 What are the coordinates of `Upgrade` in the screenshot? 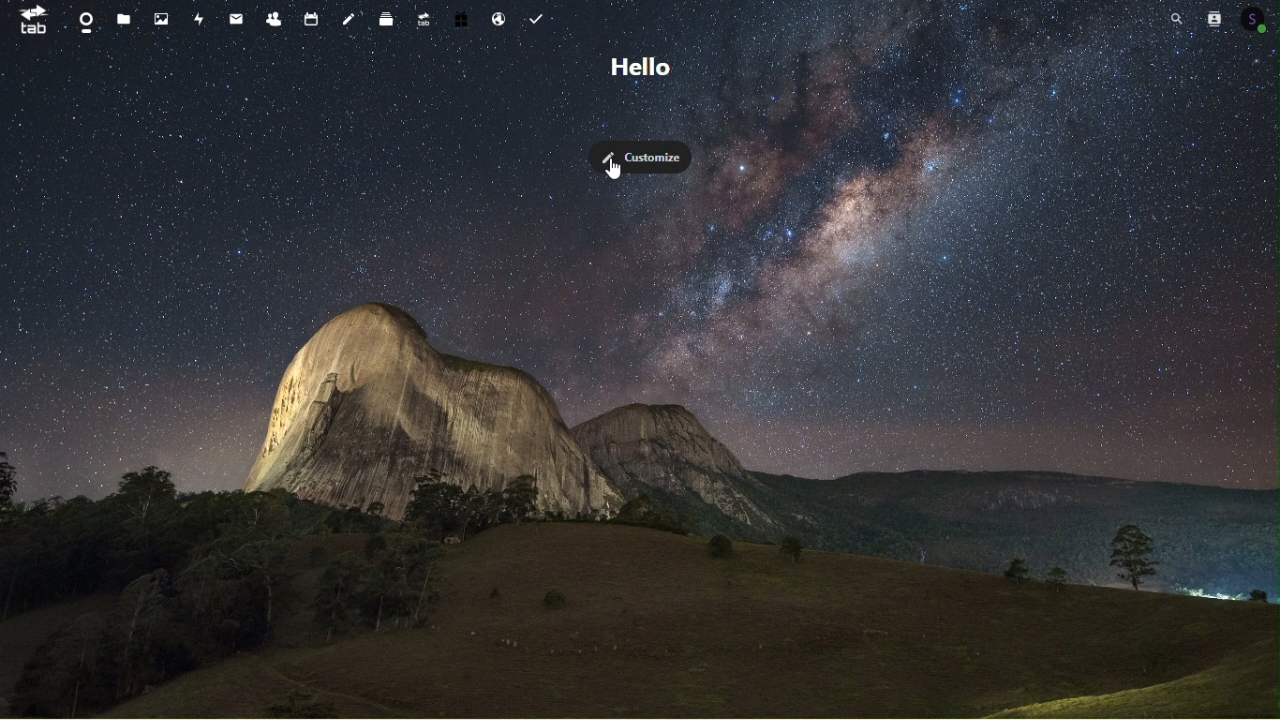 It's located at (425, 16).